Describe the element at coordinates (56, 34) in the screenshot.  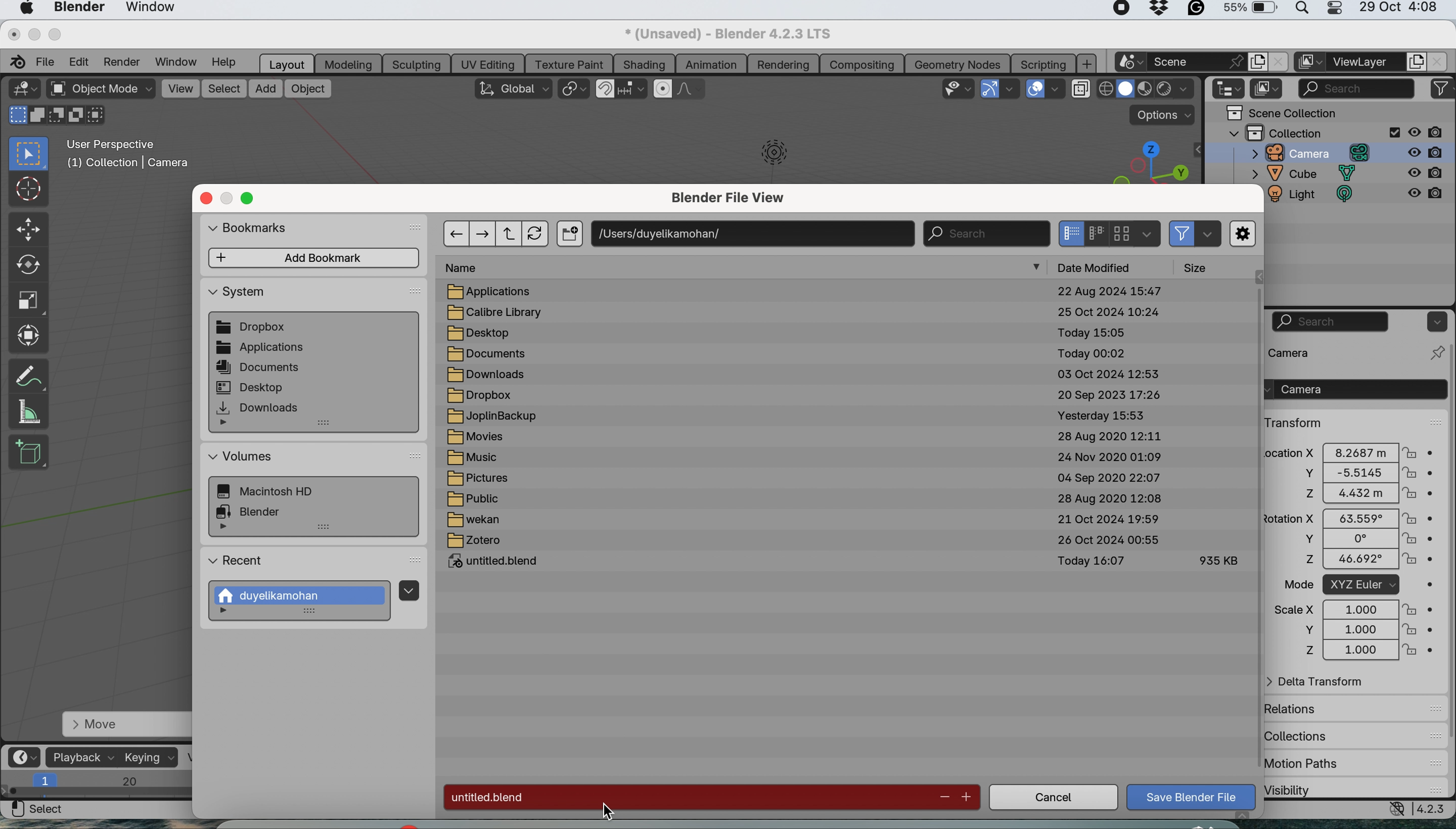
I see `maximise` at that location.